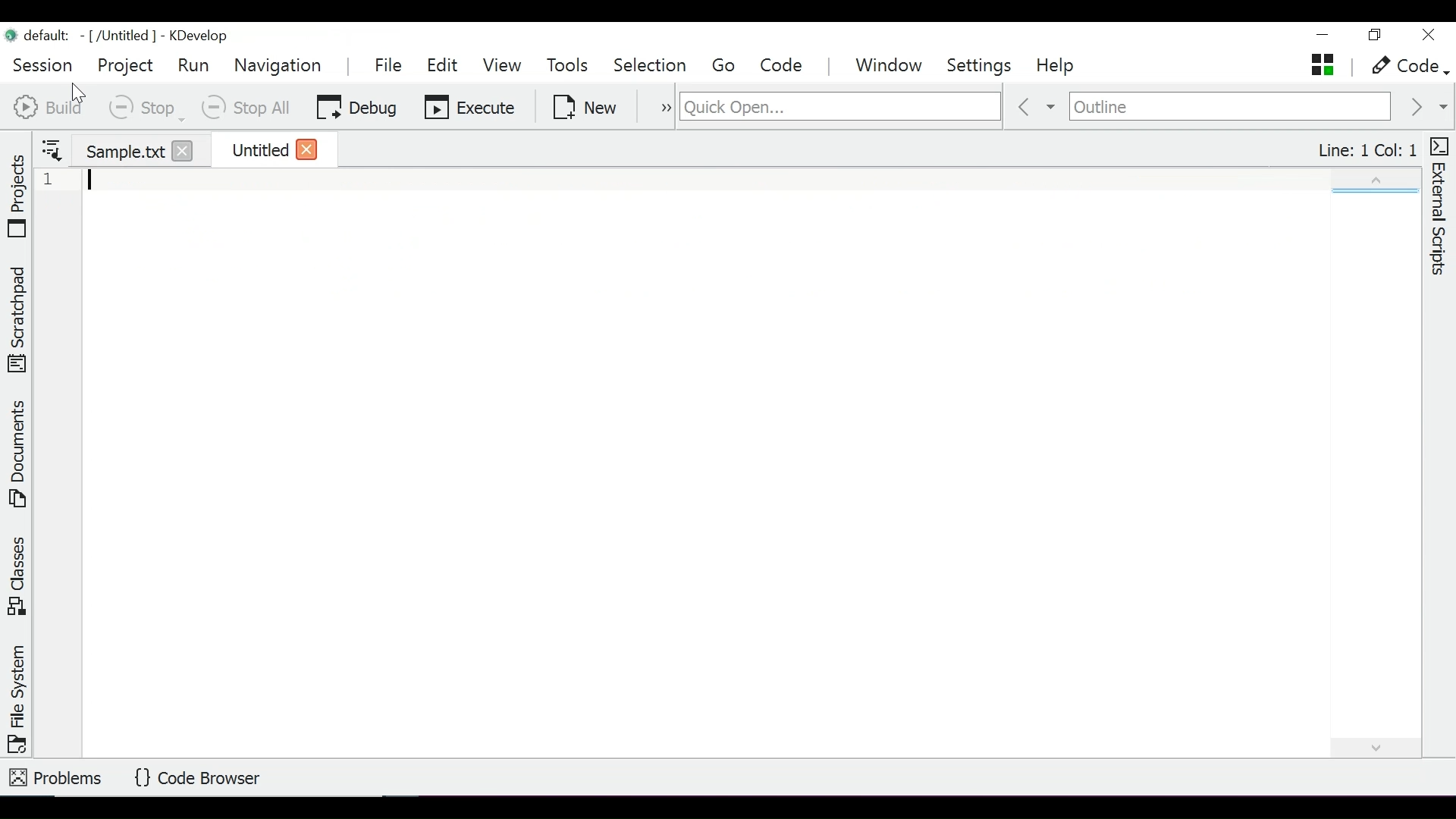 The image size is (1456, 819). I want to click on New, so click(583, 107).